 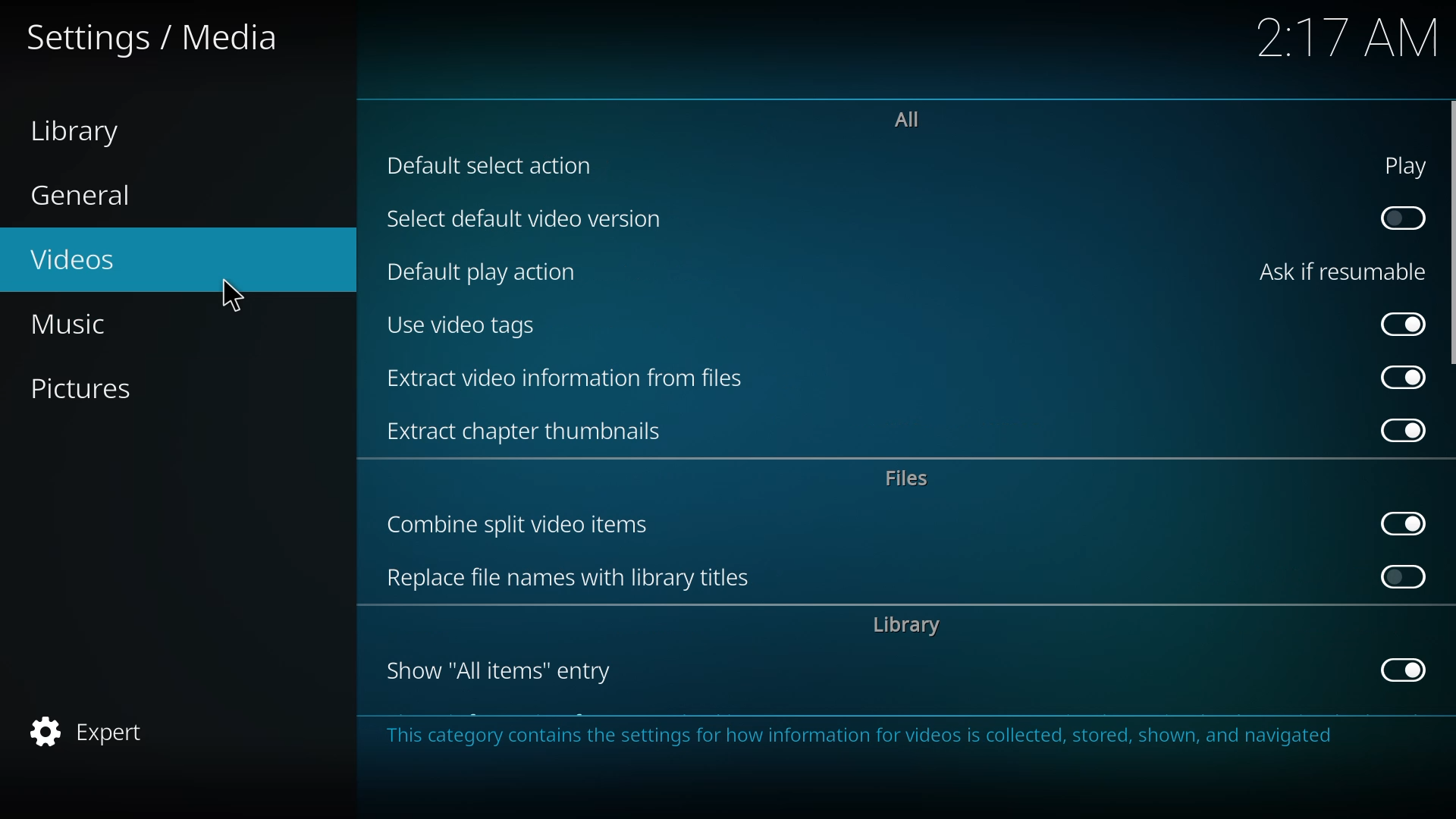 I want to click on library, so click(x=83, y=130).